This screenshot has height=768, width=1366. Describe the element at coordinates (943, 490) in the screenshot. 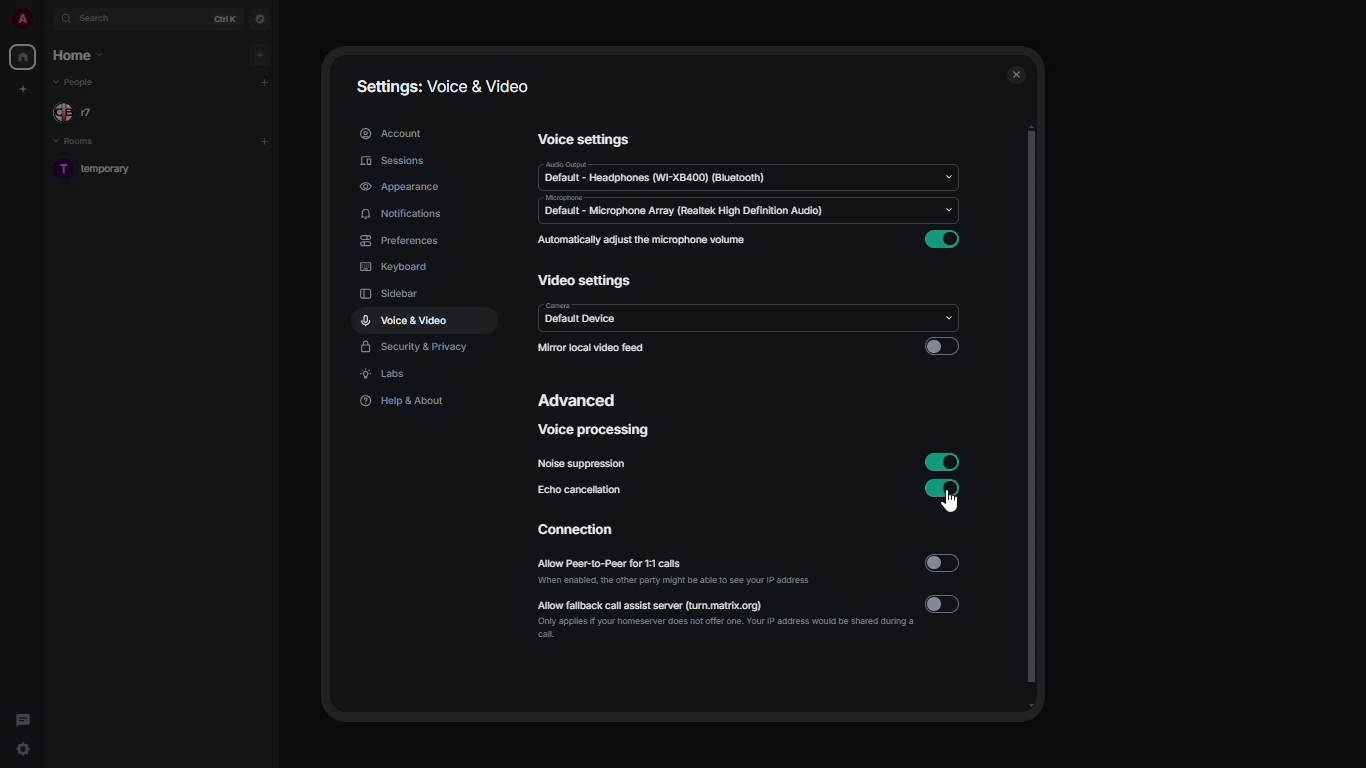

I see `enabled` at that location.